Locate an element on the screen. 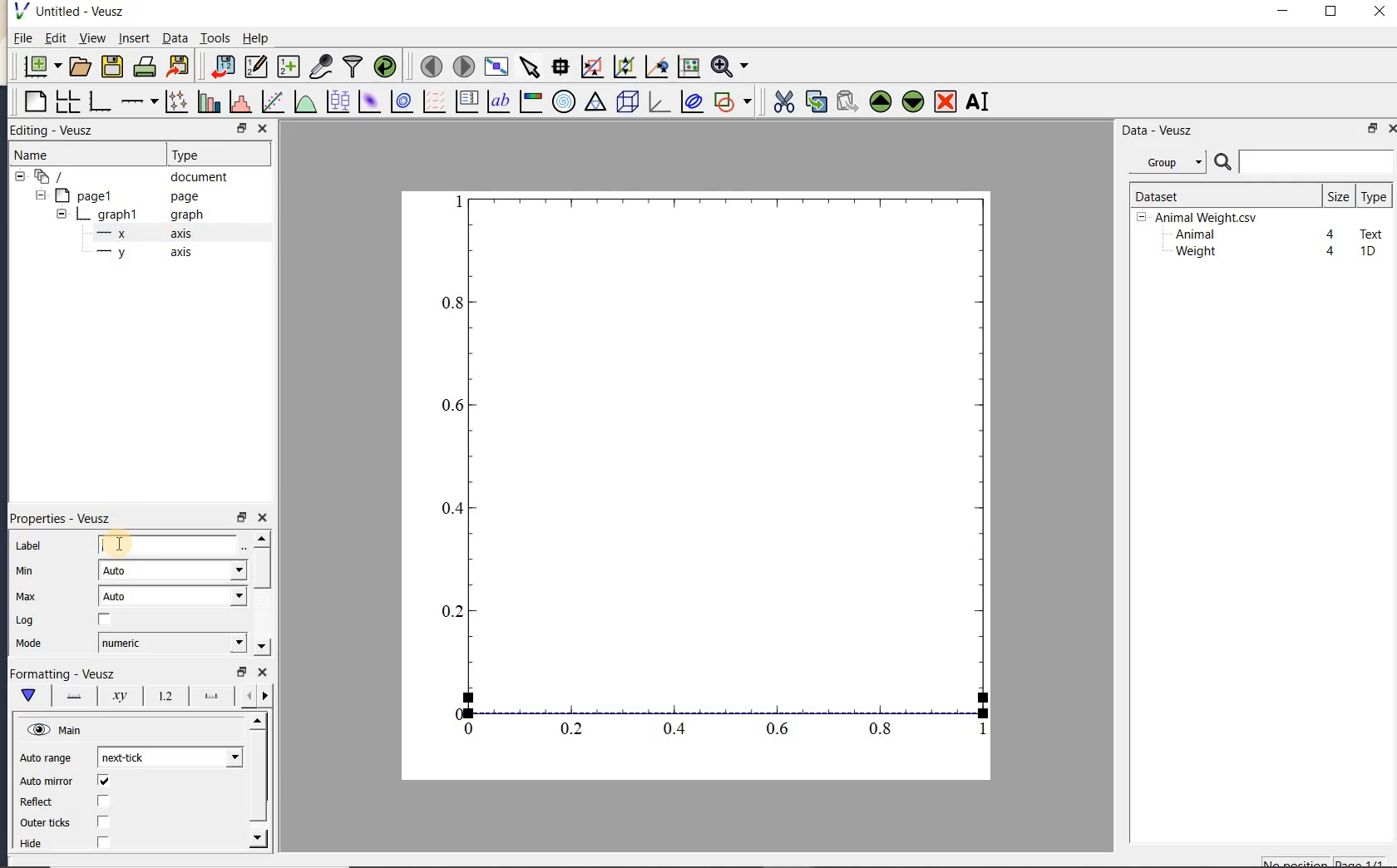 This screenshot has width=1397, height=868. plot a function is located at coordinates (304, 104).